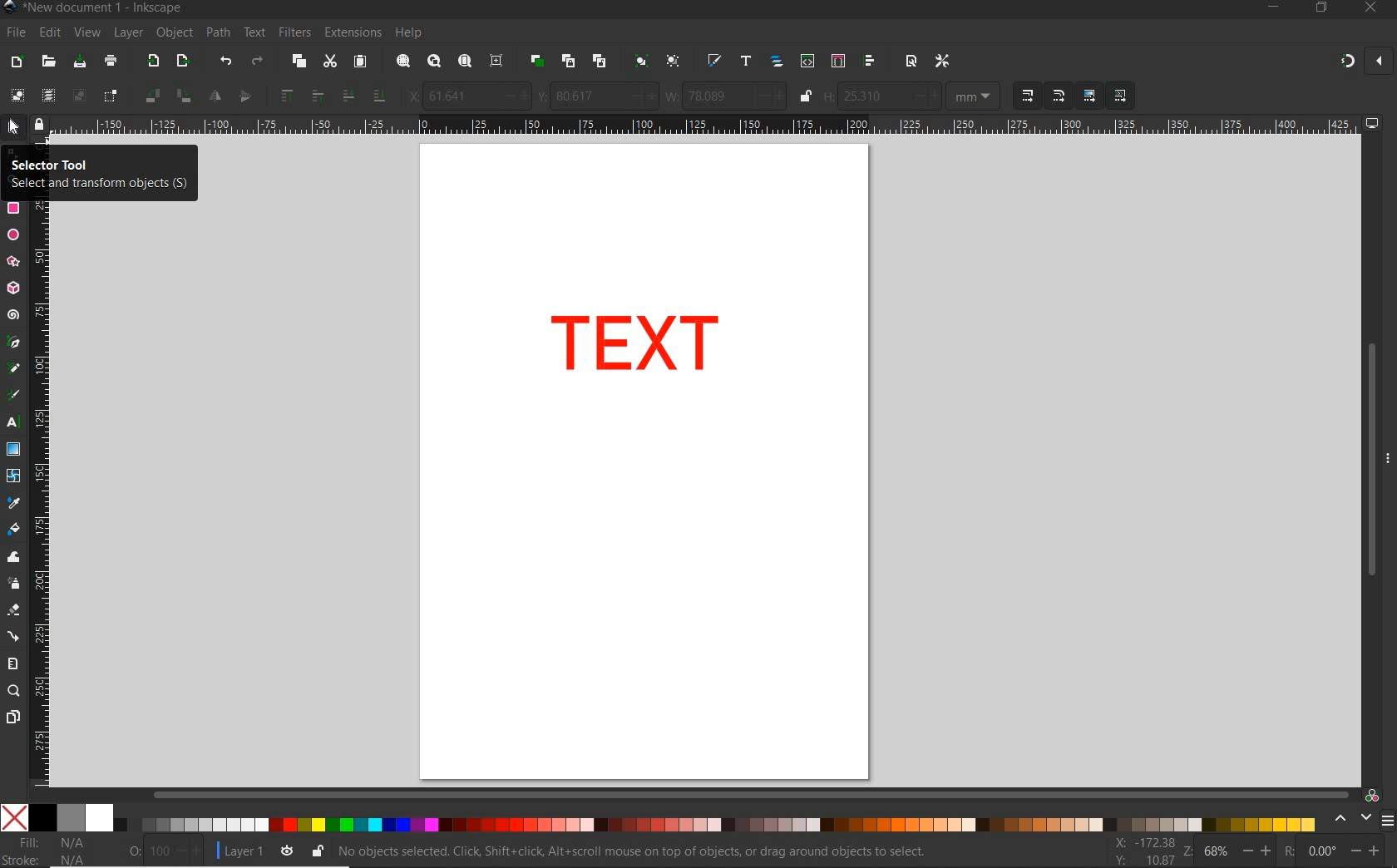 The height and width of the screenshot is (868, 1397). I want to click on MEASUREMENT, so click(976, 96).